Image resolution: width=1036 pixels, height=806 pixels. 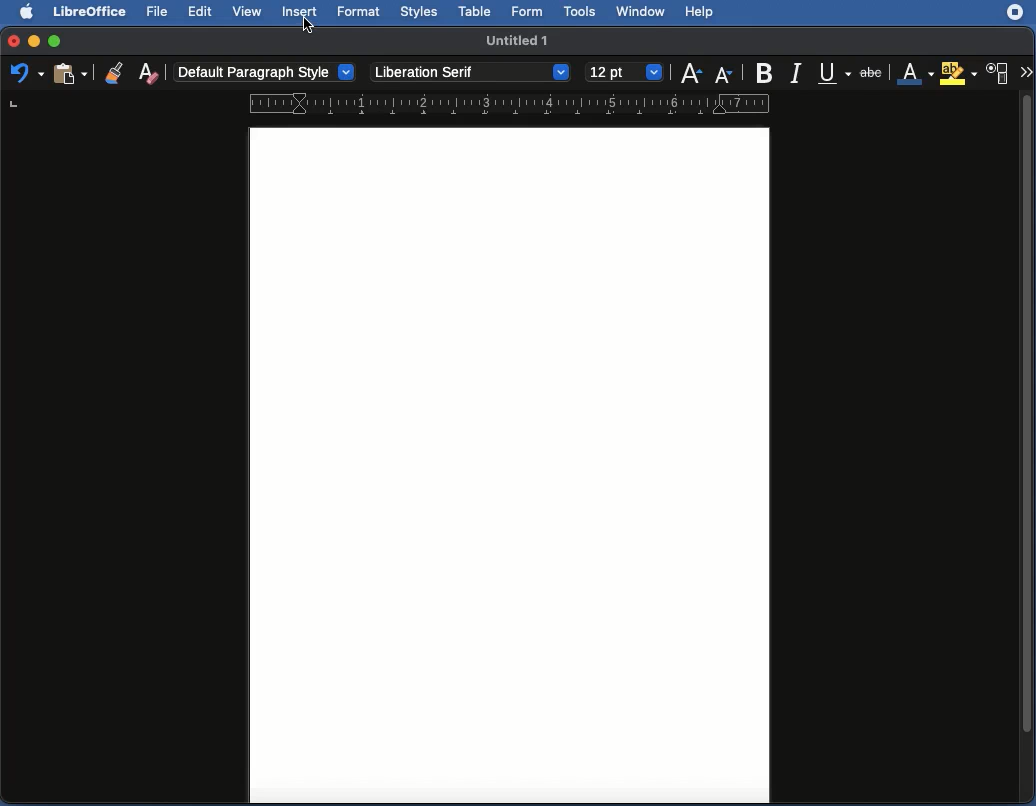 What do you see at coordinates (476, 12) in the screenshot?
I see `Table` at bounding box center [476, 12].